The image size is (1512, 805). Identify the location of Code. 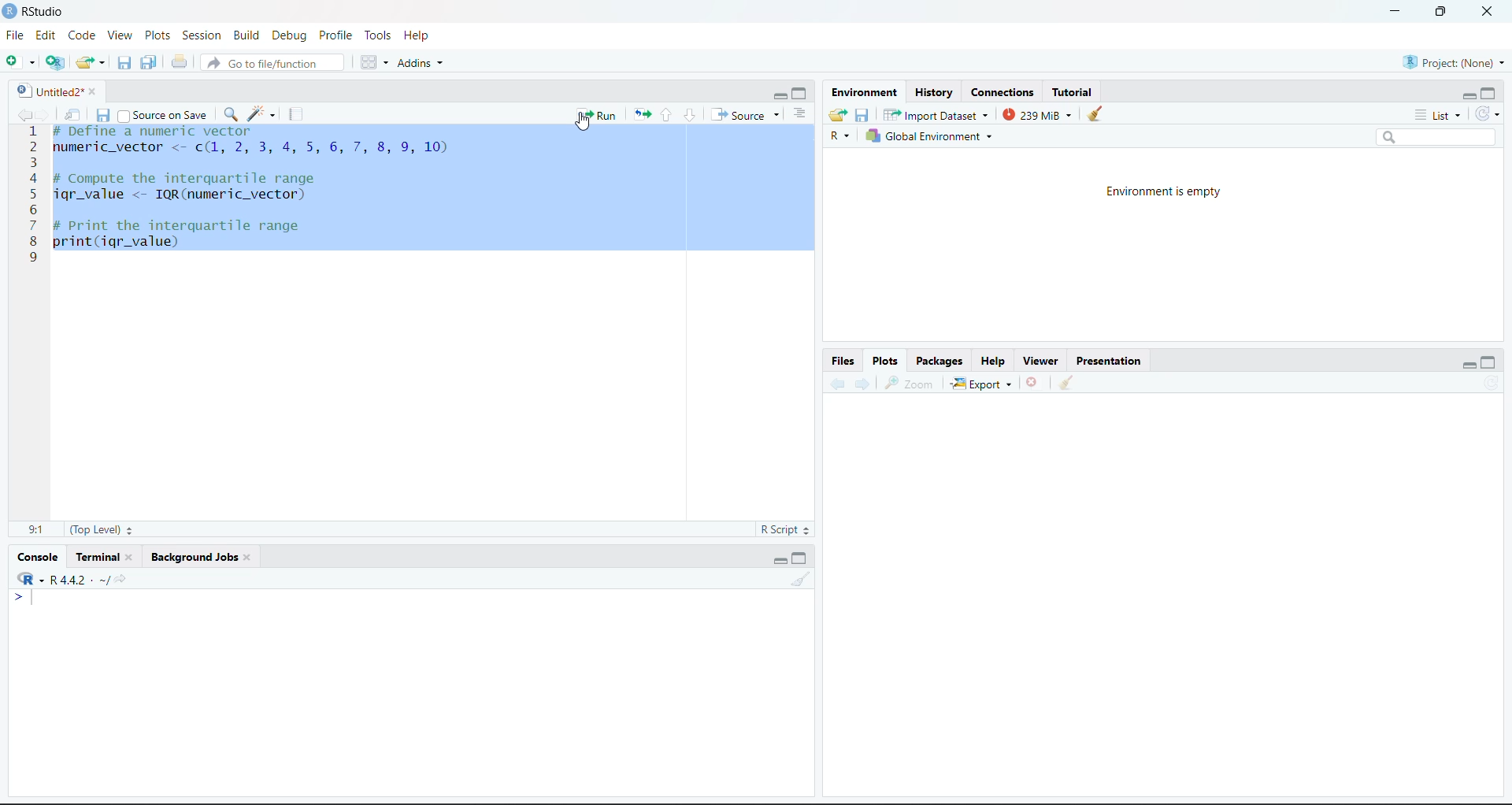
(85, 34).